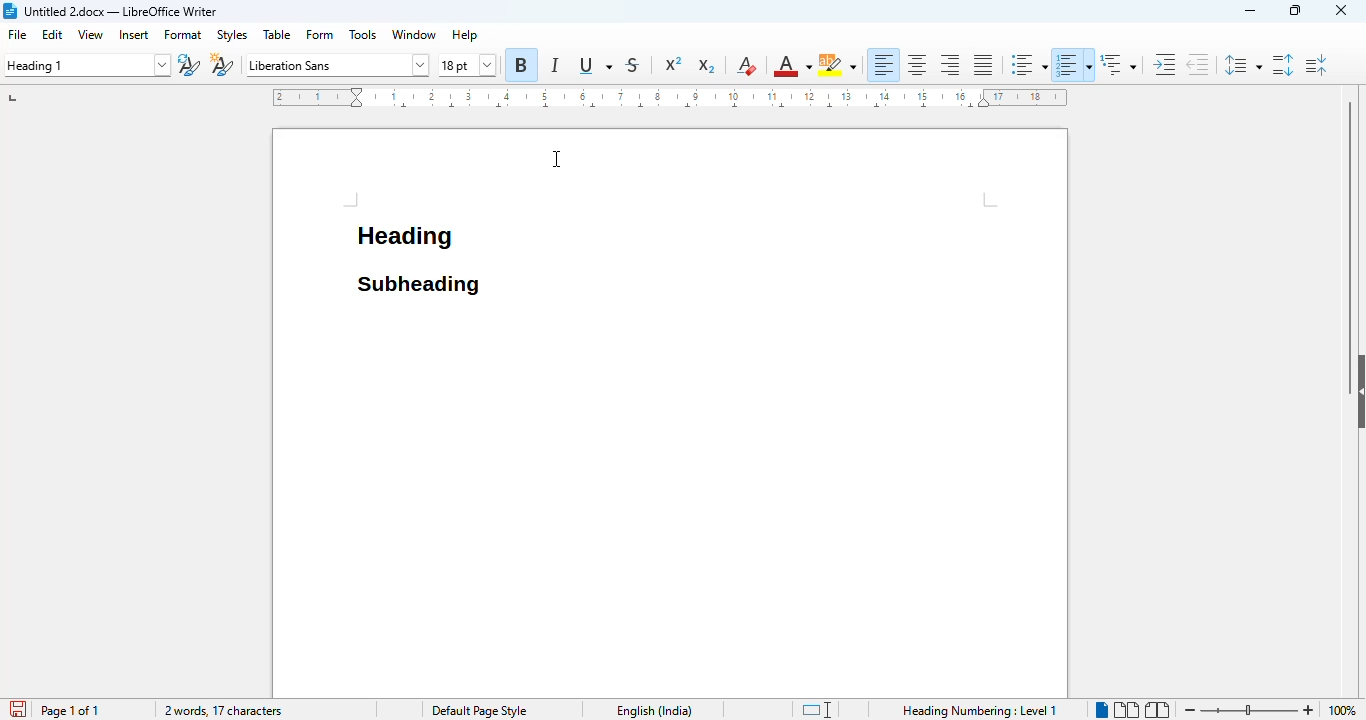  What do you see at coordinates (364, 34) in the screenshot?
I see `tools` at bounding box center [364, 34].